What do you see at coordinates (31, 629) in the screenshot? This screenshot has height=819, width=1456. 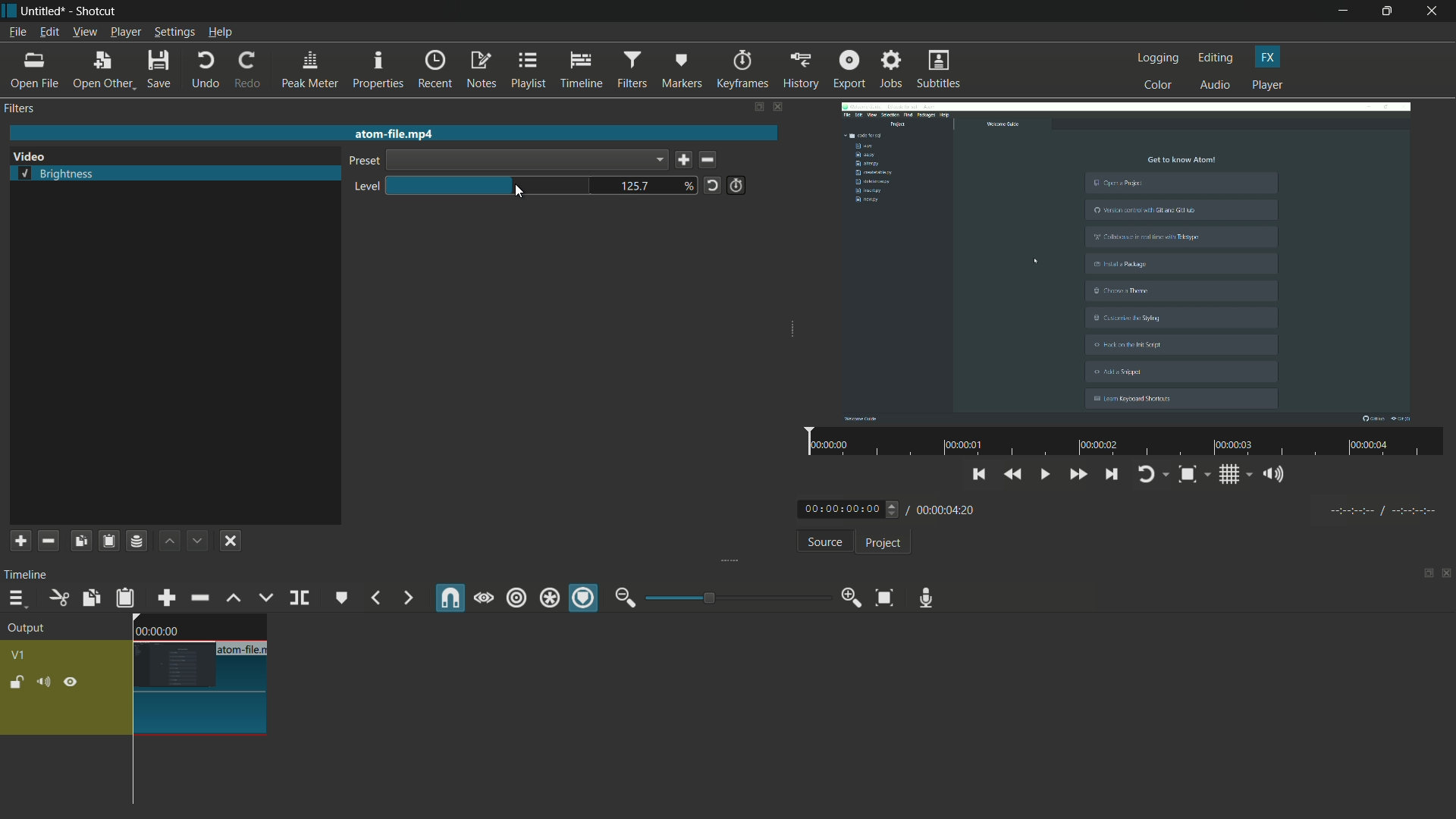 I see `output` at bounding box center [31, 629].